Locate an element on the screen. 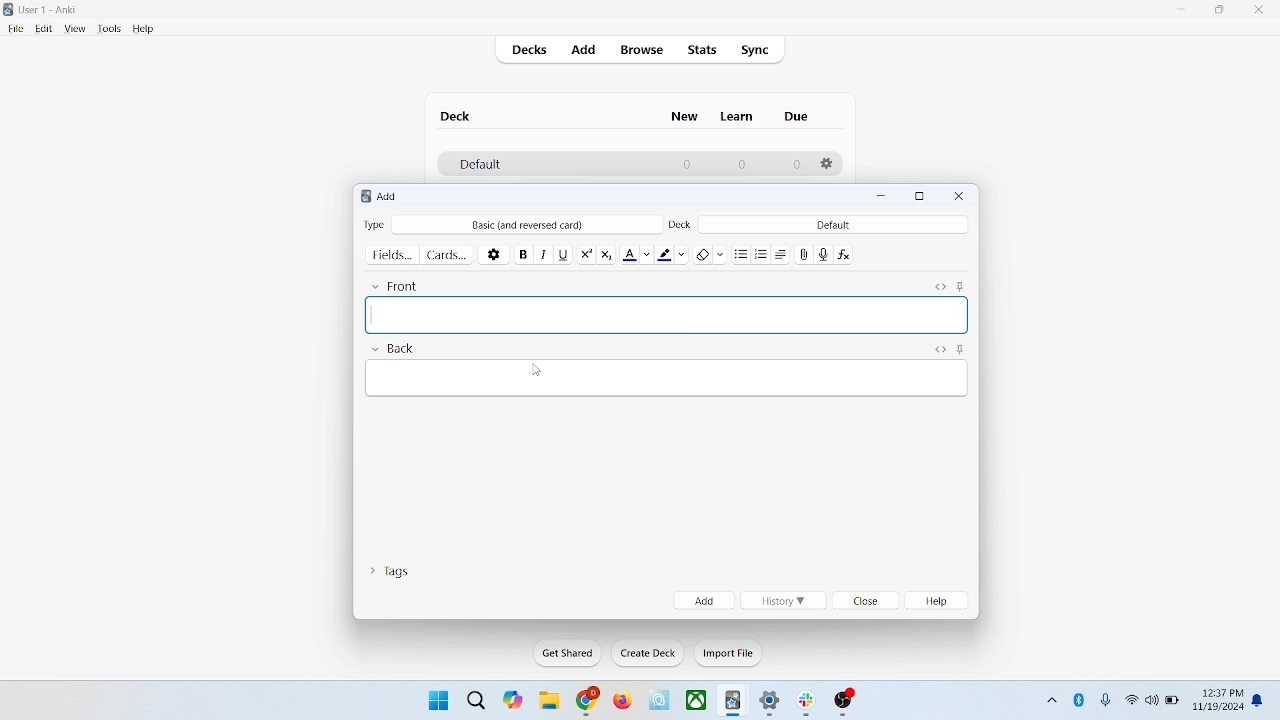 This screenshot has height=720, width=1280. themes is located at coordinates (513, 700).